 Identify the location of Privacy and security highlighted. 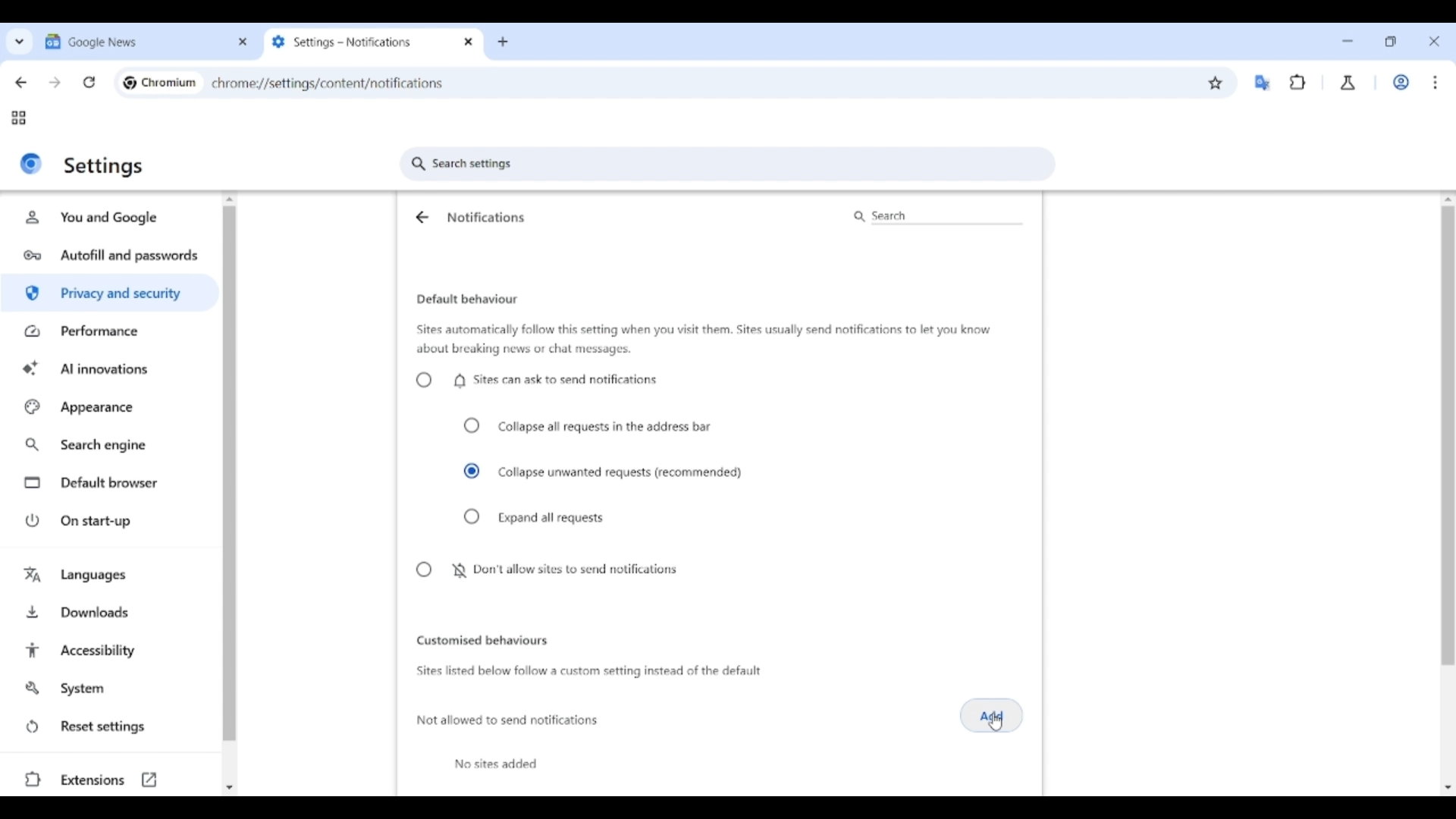
(108, 296).